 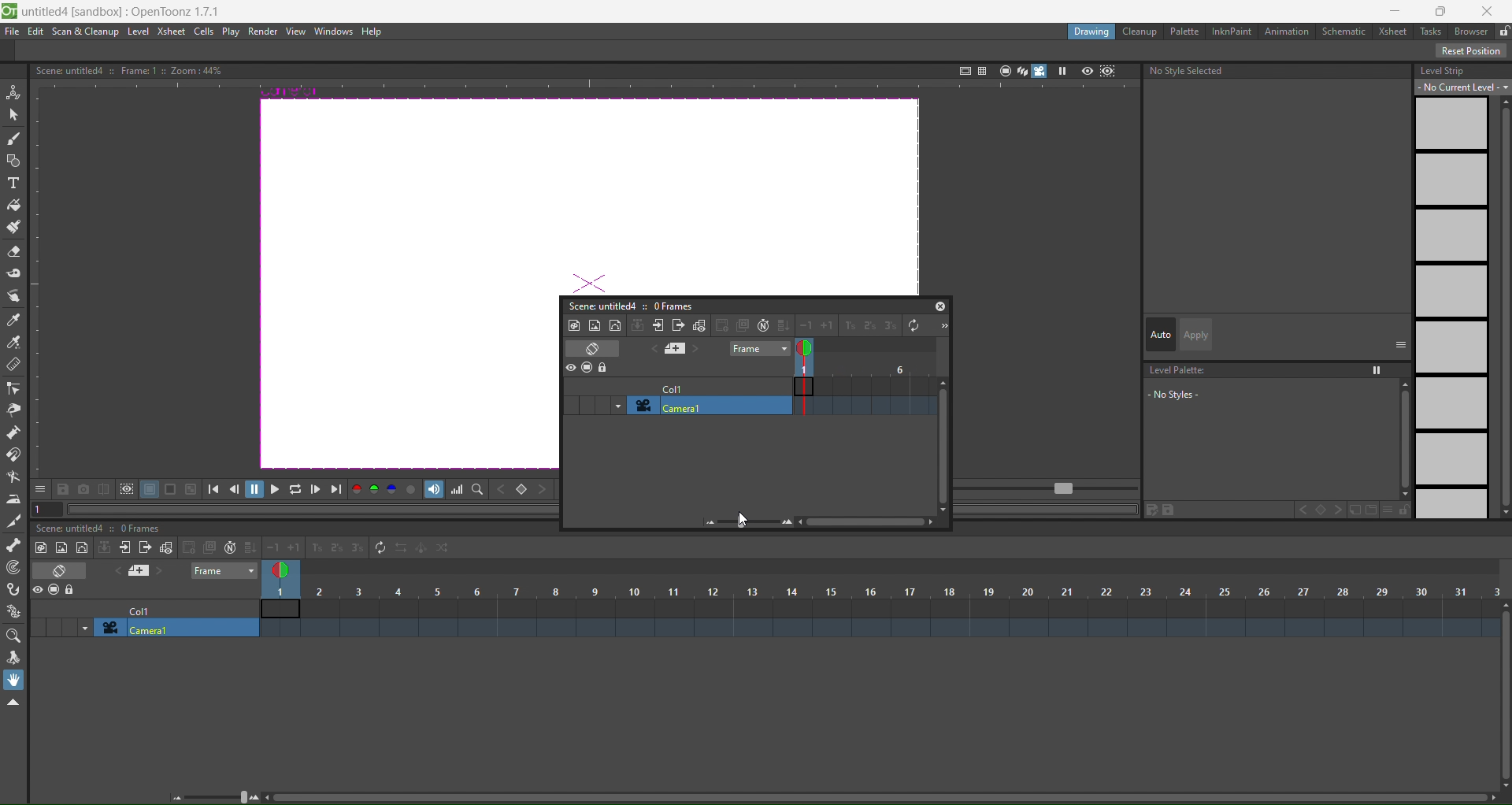 I want to click on minimize, so click(x=1394, y=11).